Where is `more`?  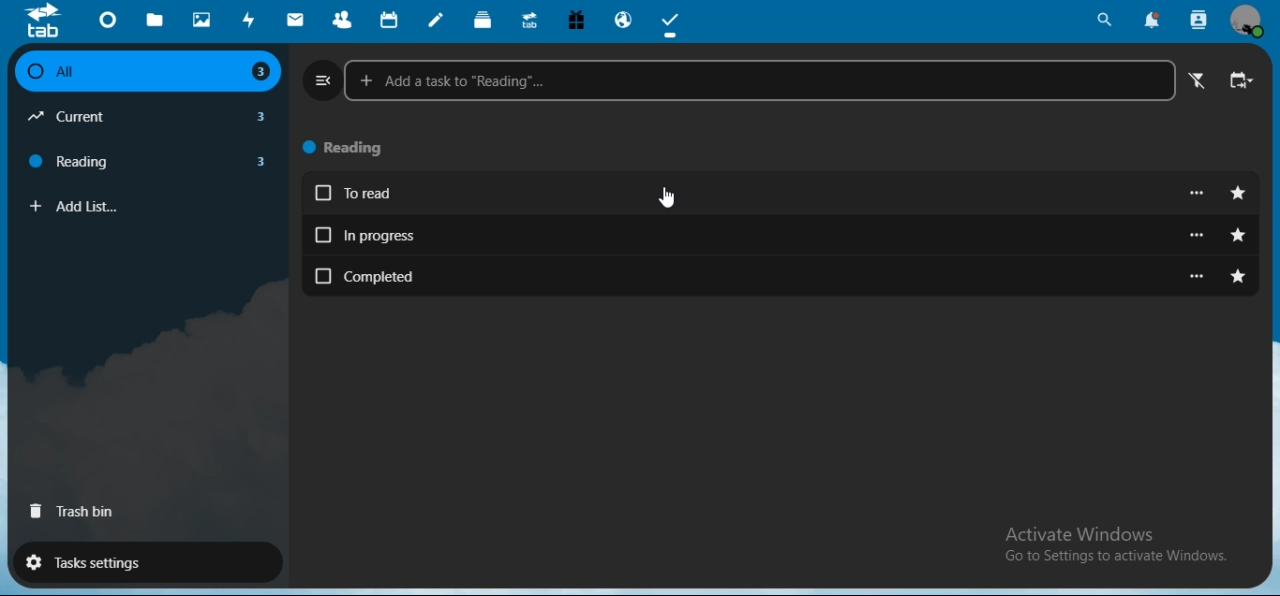
more is located at coordinates (1198, 276).